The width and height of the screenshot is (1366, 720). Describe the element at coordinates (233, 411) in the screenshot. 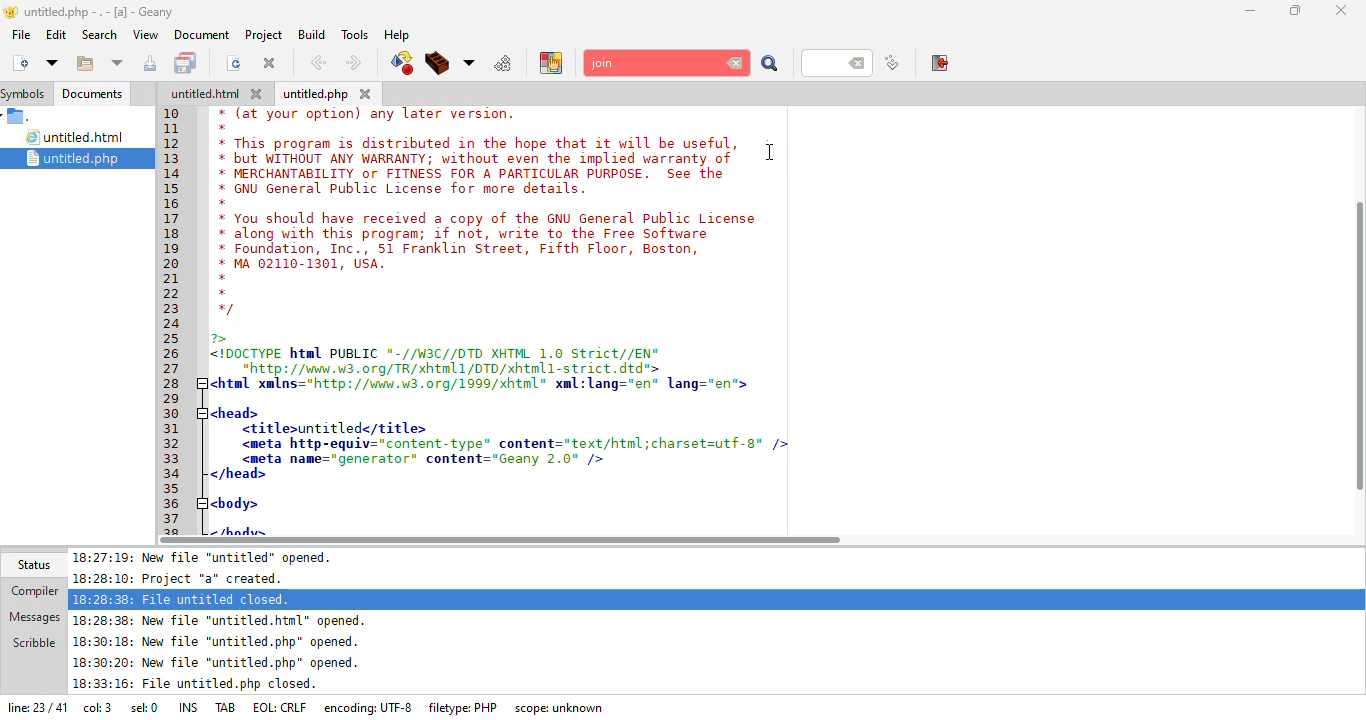

I see `<head>` at that location.